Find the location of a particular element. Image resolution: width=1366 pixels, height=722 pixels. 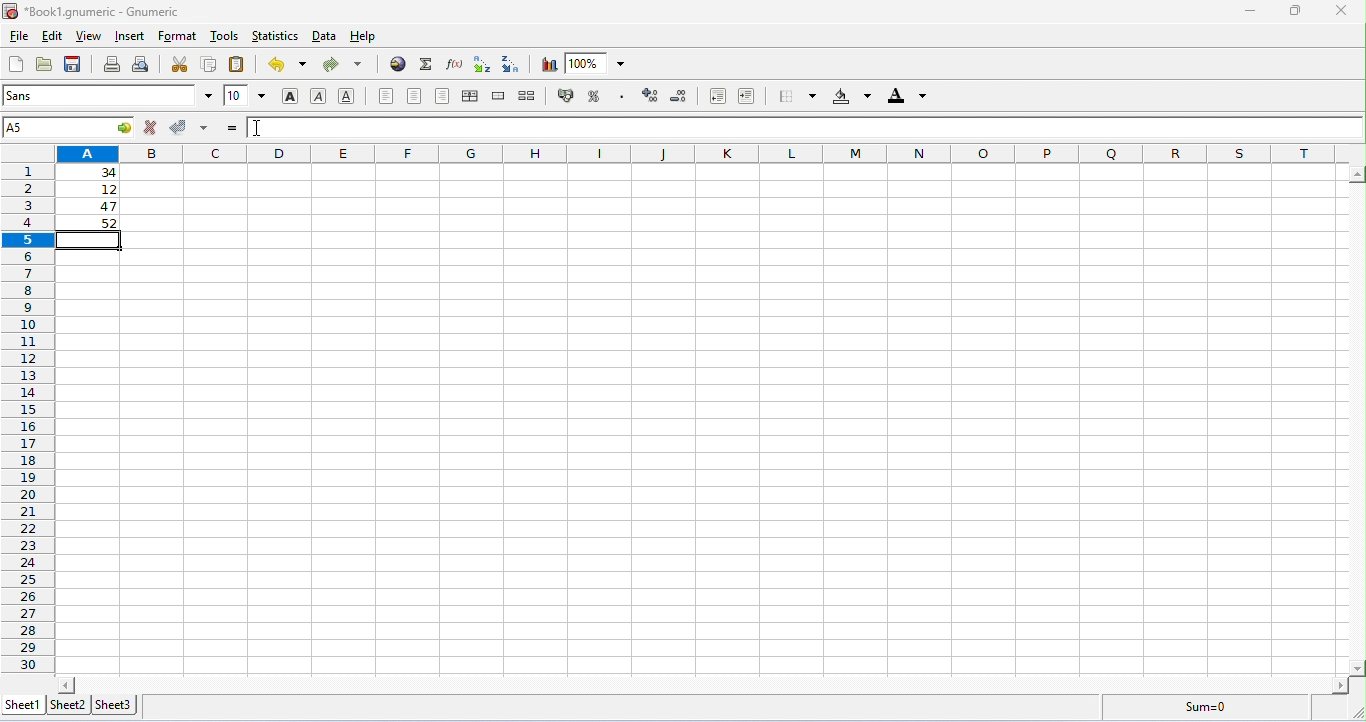

format as percent is located at coordinates (594, 96).